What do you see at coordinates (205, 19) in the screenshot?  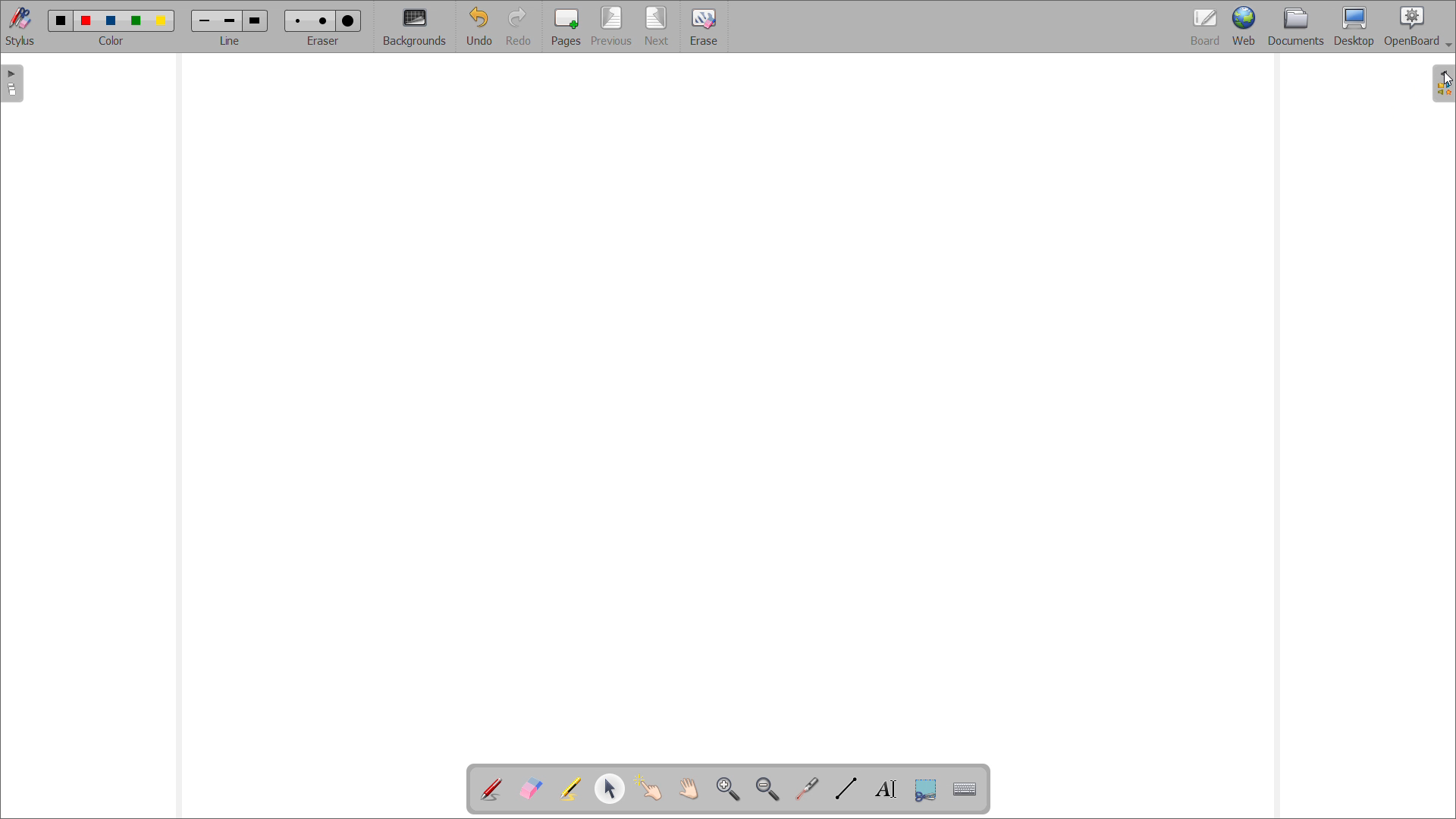 I see `Small line` at bounding box center [205, 19].